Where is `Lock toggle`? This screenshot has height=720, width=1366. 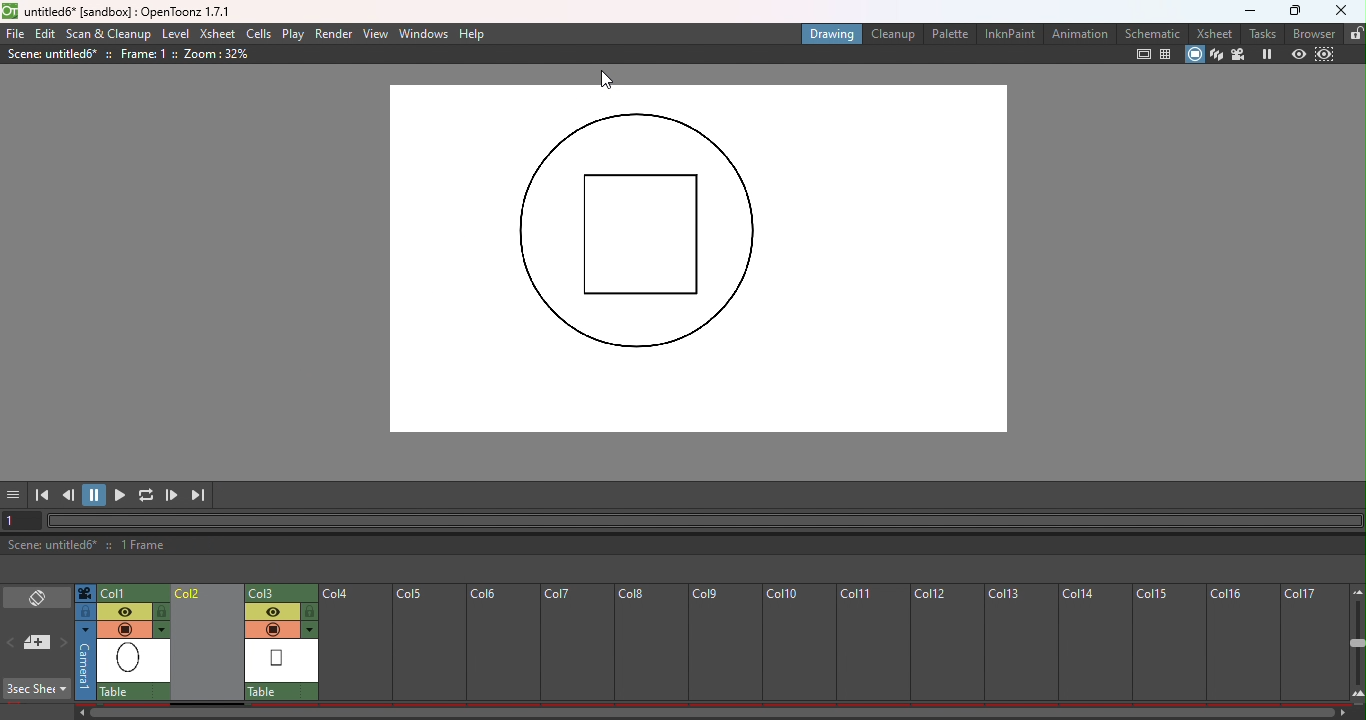 Lock toggle is located at coordinates (162, 612).